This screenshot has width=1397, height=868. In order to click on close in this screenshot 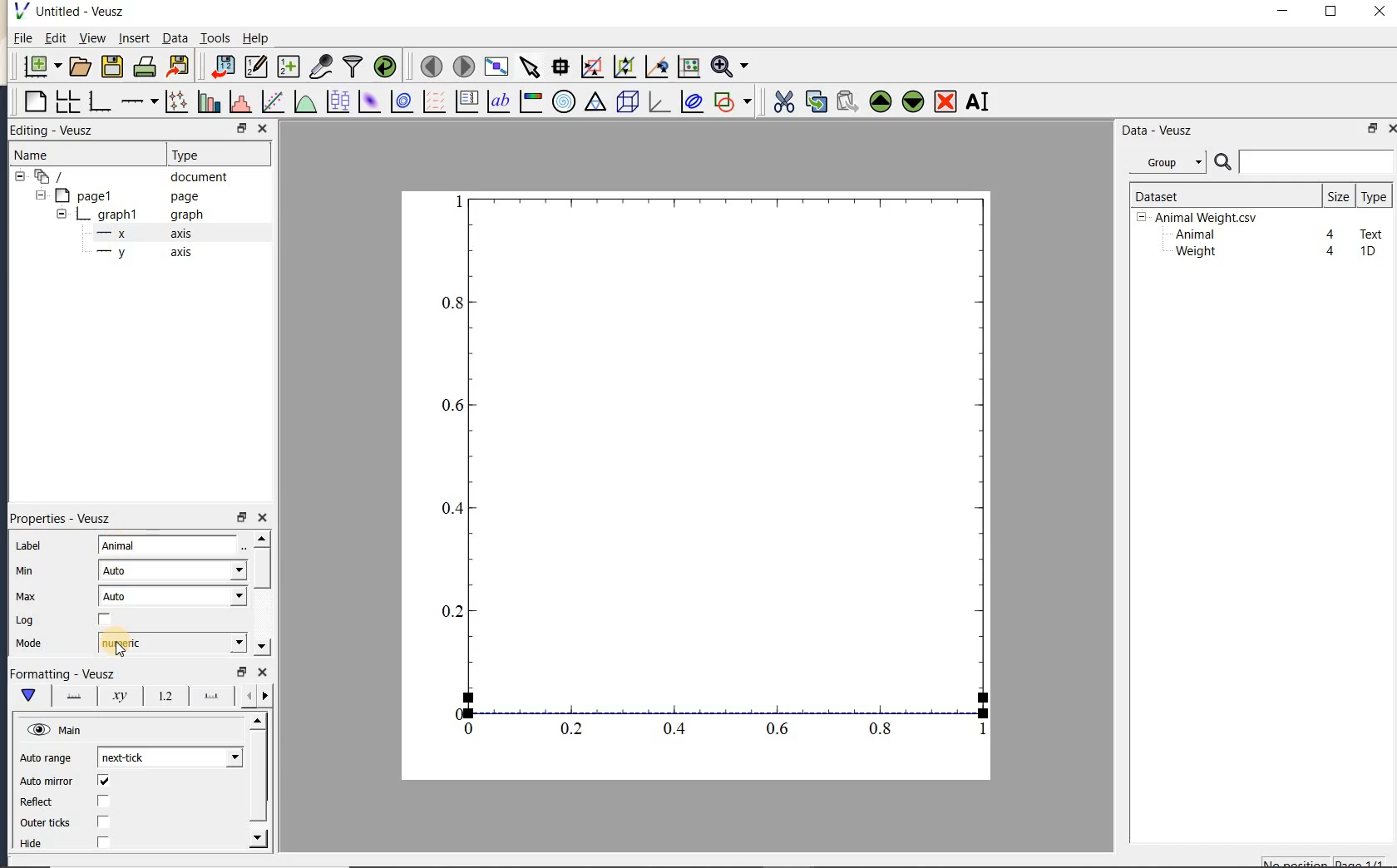, I will do `click(263, 673)`.